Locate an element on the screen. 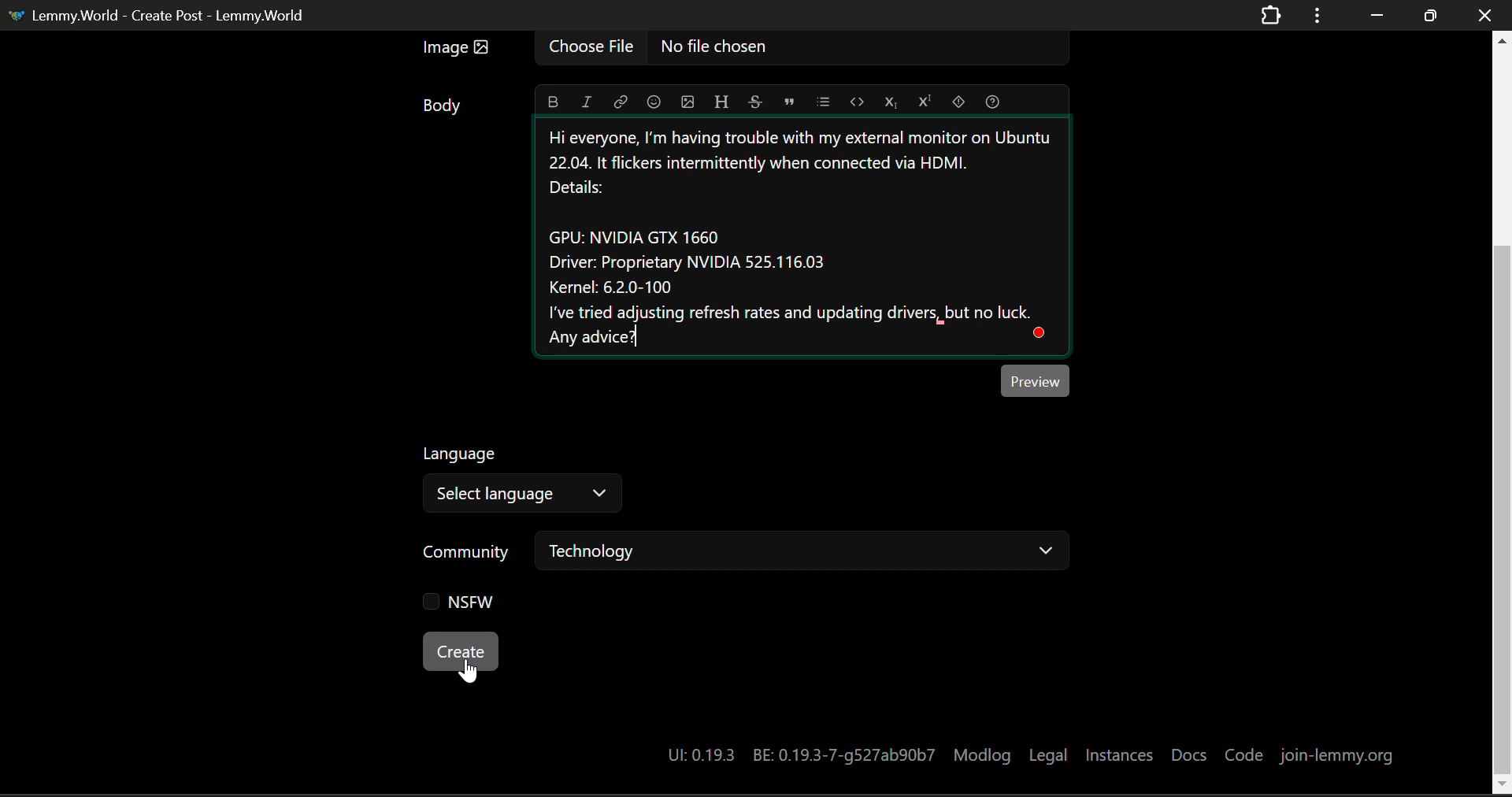  Code is located at coordinates (1243, 753).